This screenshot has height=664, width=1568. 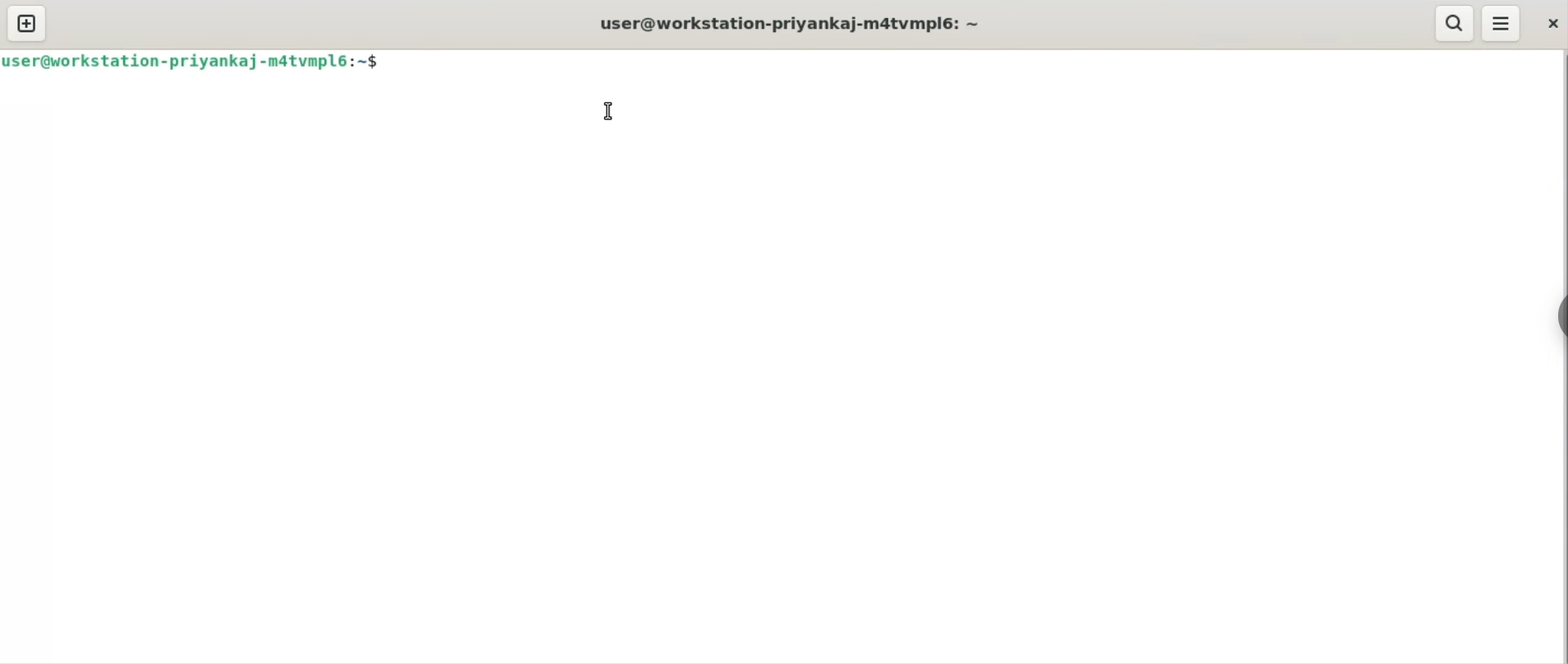 What do you see at coordinates (1501, 21) in the screenshot?
I see `More Options` at bounding box center [1501, 21].